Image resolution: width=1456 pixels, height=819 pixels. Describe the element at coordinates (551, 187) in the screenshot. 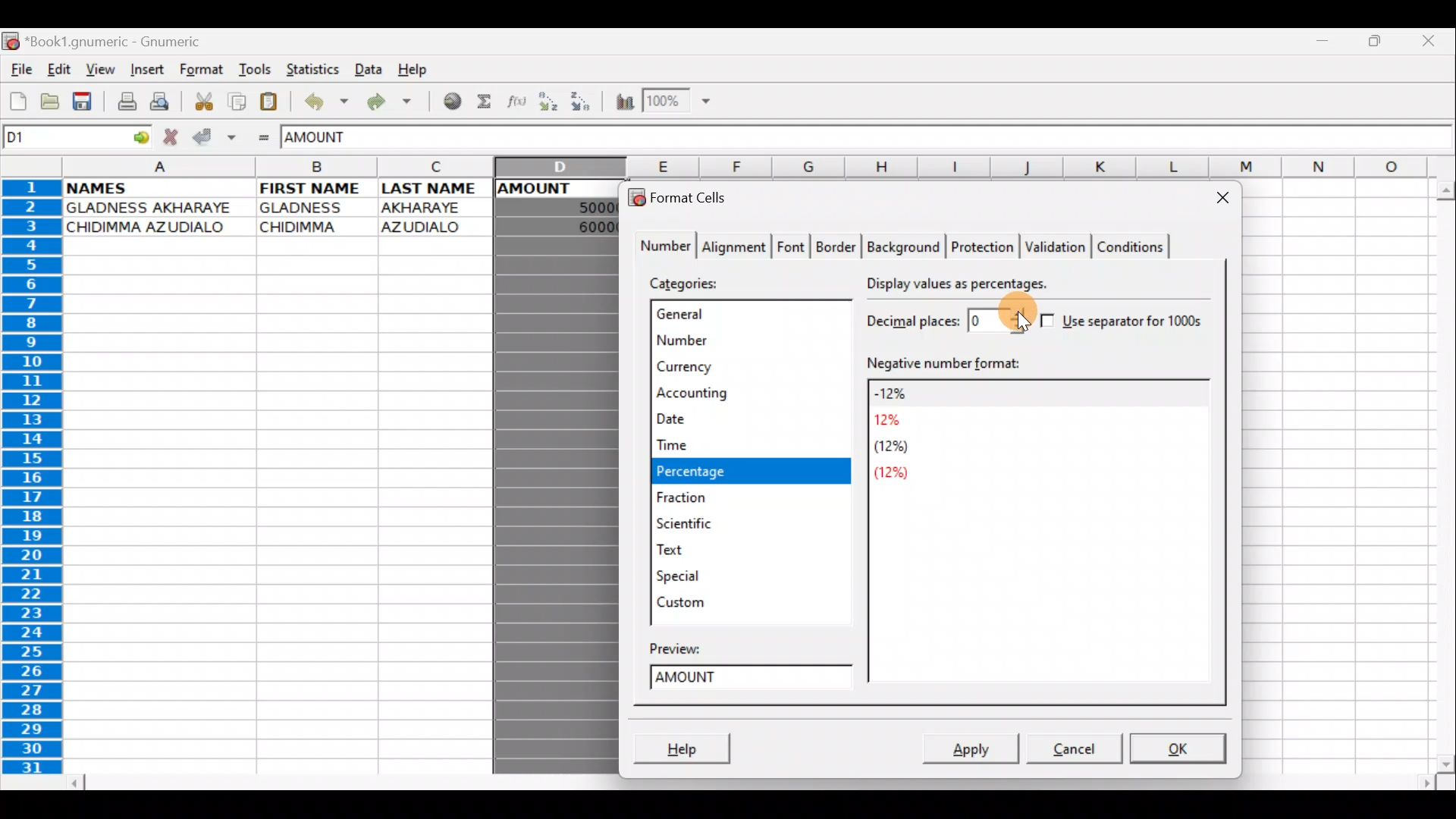

I see `AMOUNT` at that location.